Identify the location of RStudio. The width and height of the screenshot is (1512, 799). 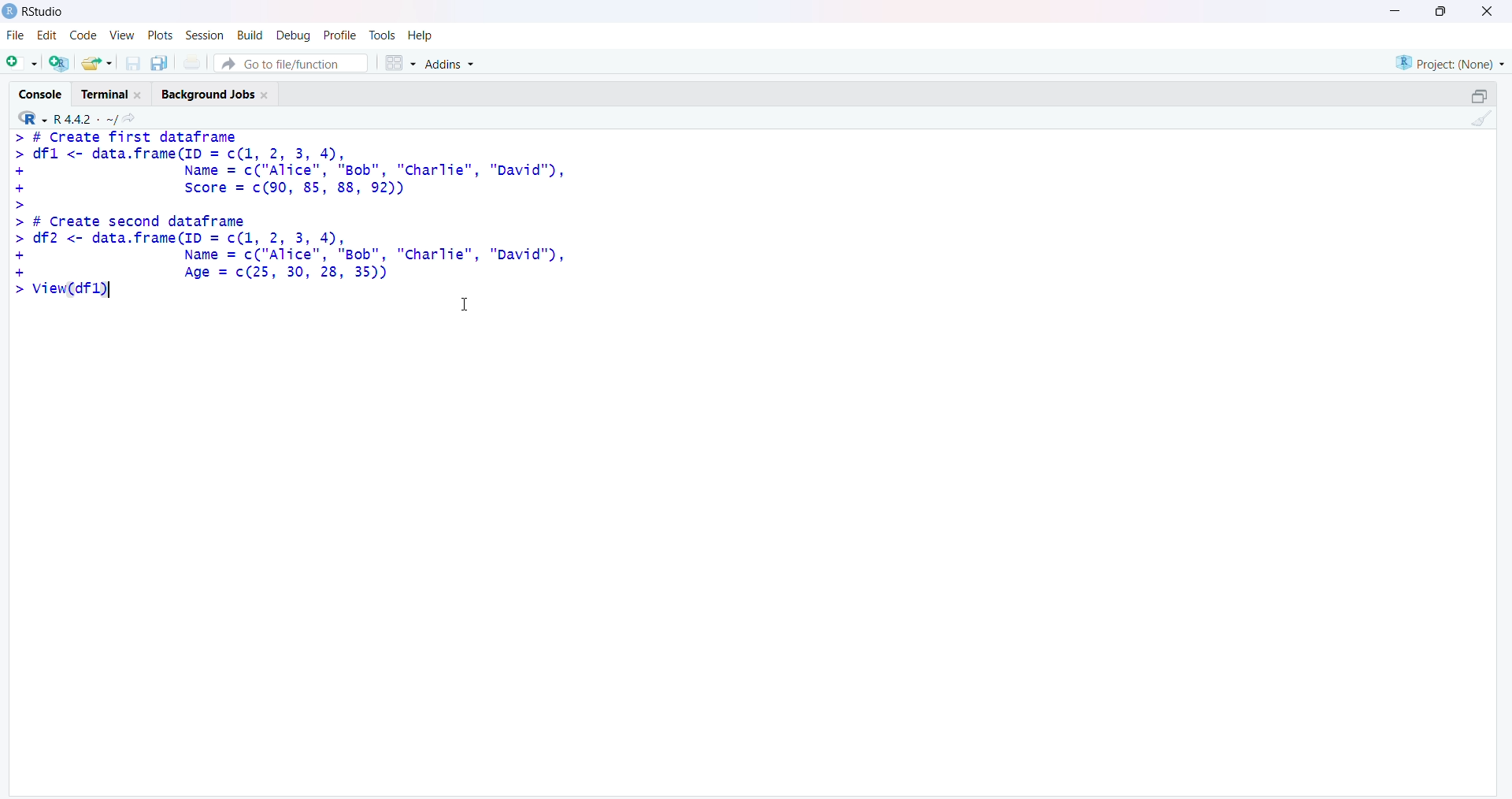
(45, 12).